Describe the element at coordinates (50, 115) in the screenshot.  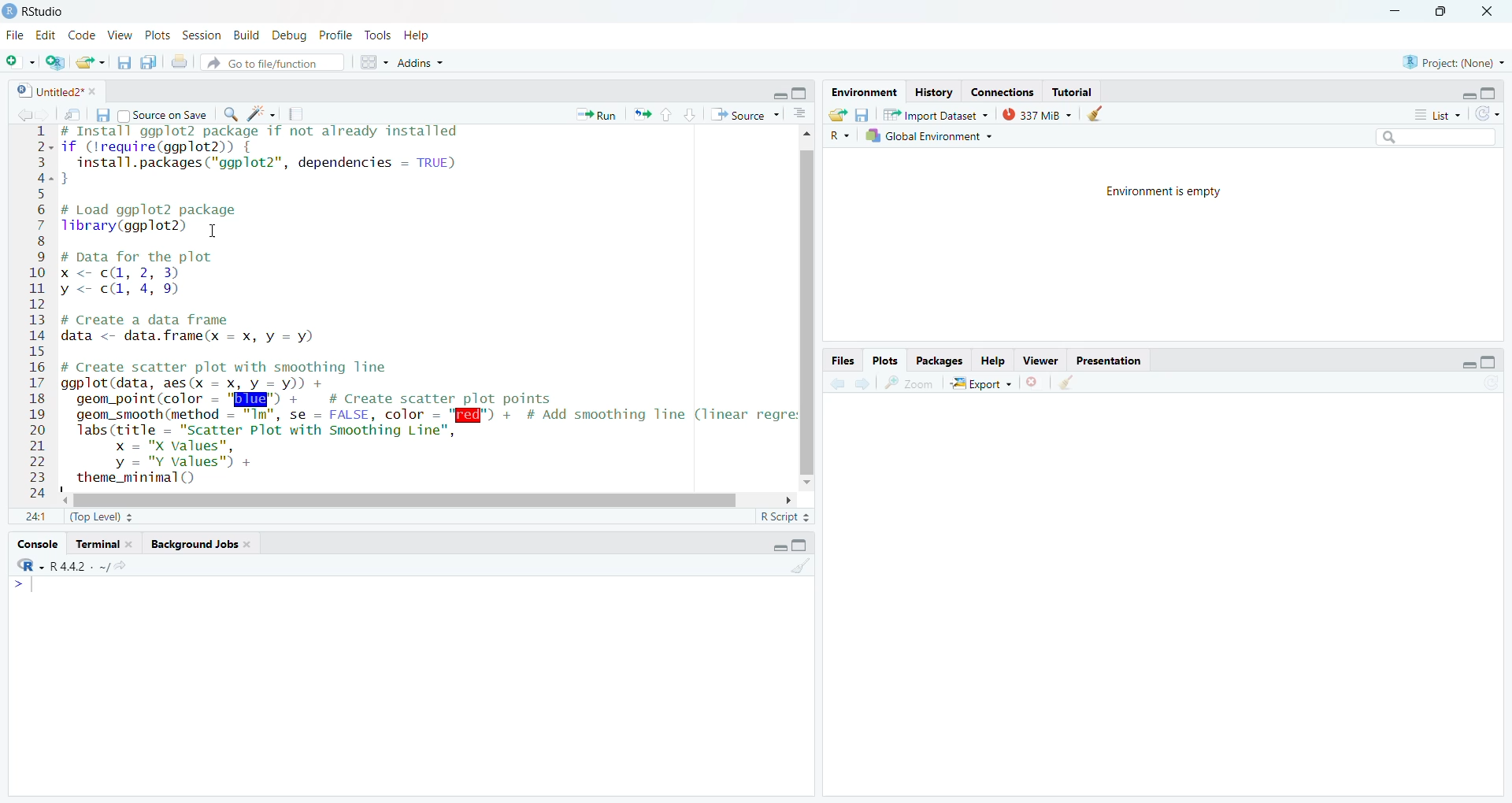
I see `go back to the next source location` at that location.